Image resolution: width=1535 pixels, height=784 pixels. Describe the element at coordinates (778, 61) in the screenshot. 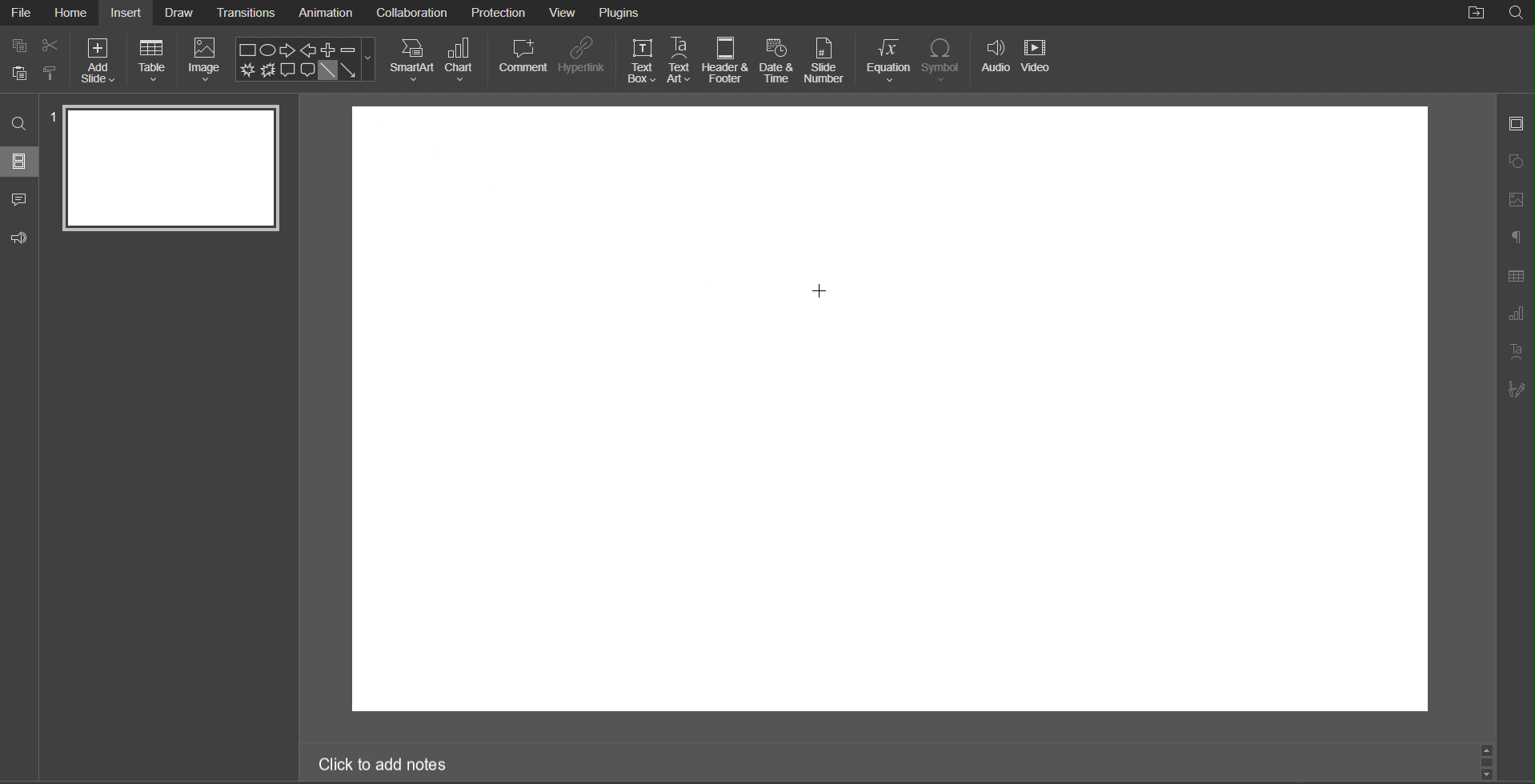

I see `Date & Time` at that location.